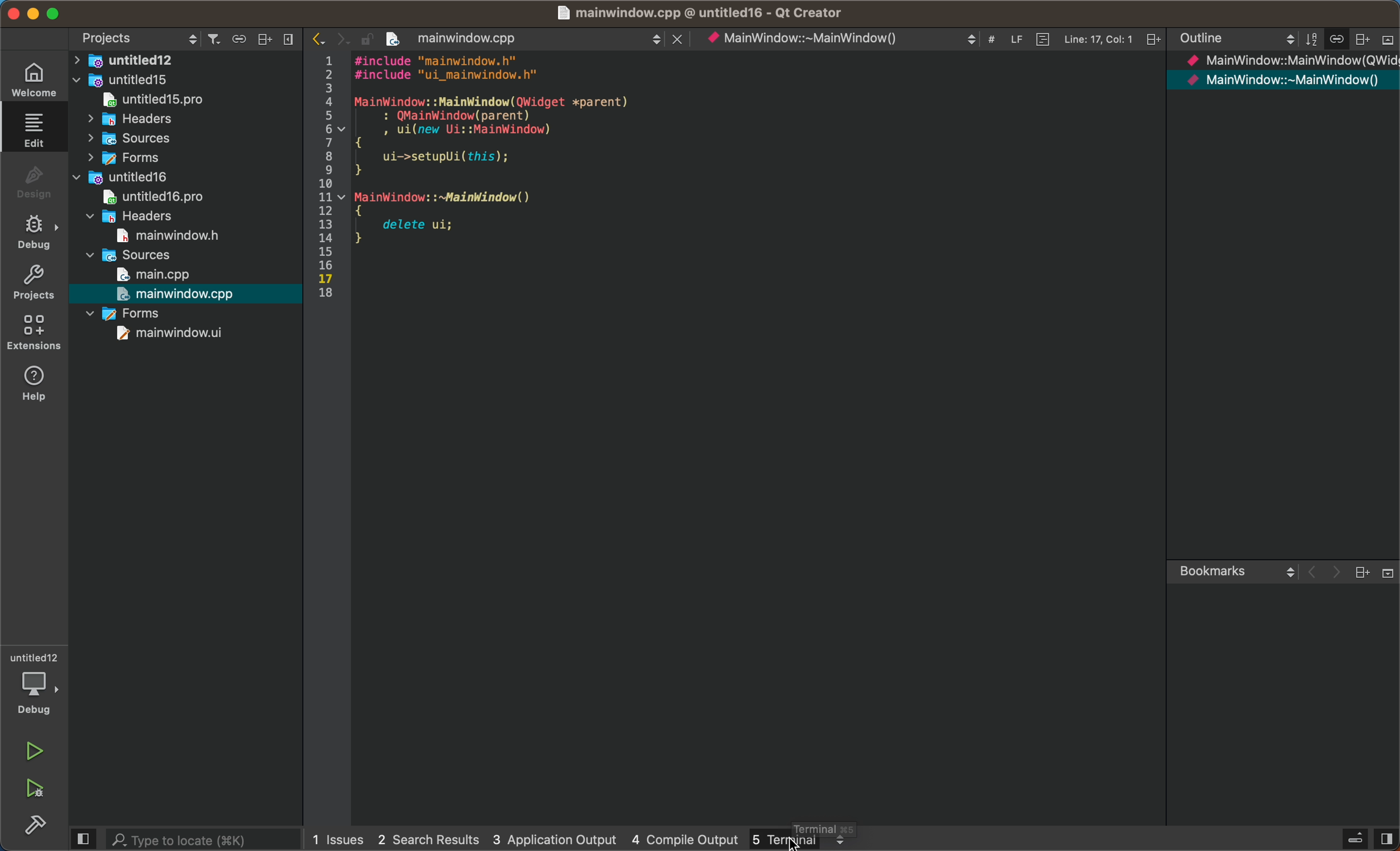  What do you see at coordinates (35, 284) in the screenshot?
I see `projects` at bounding box center [35, 284].